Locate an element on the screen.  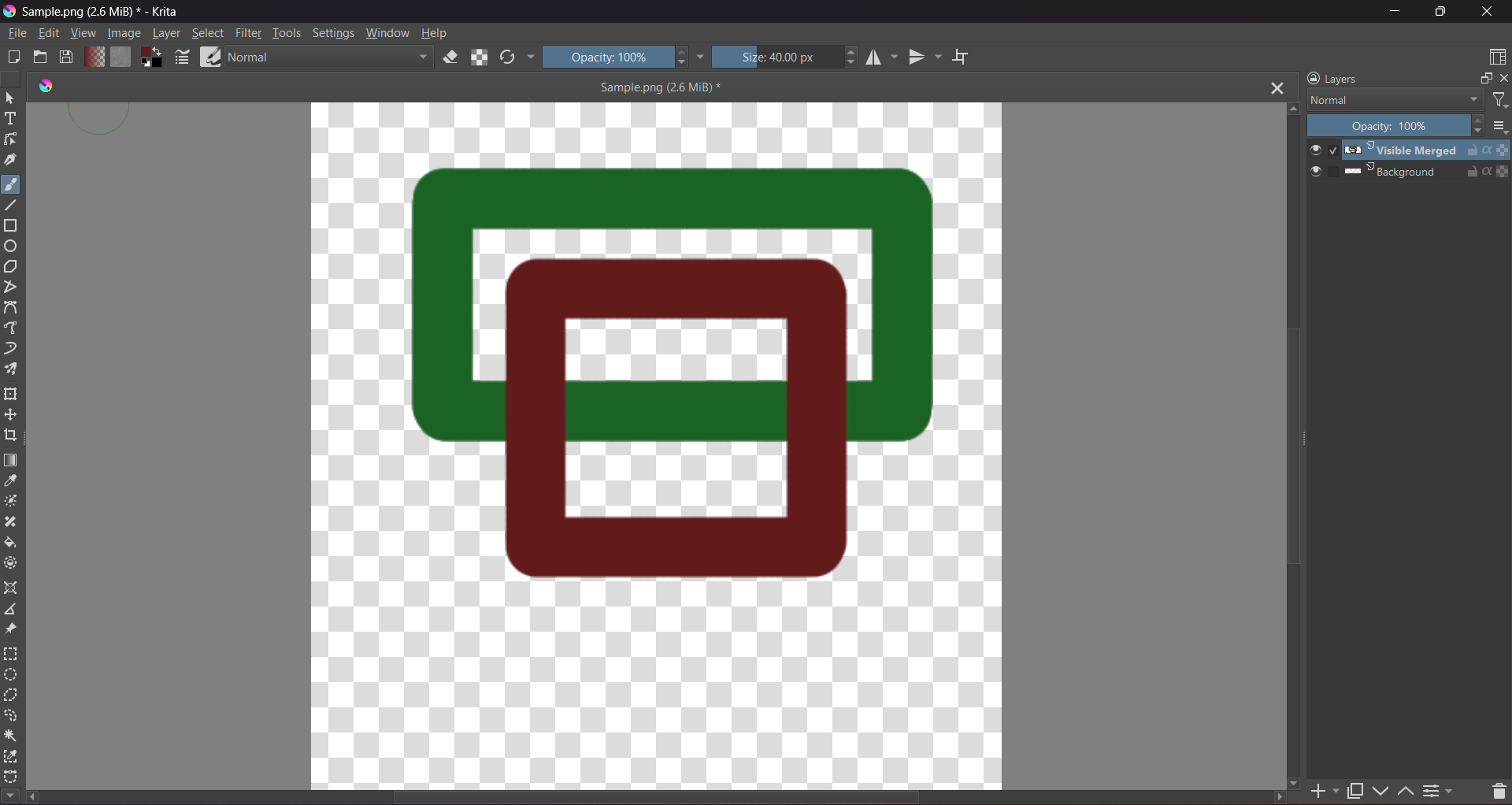
Edit is located at coordinates (49, 35).